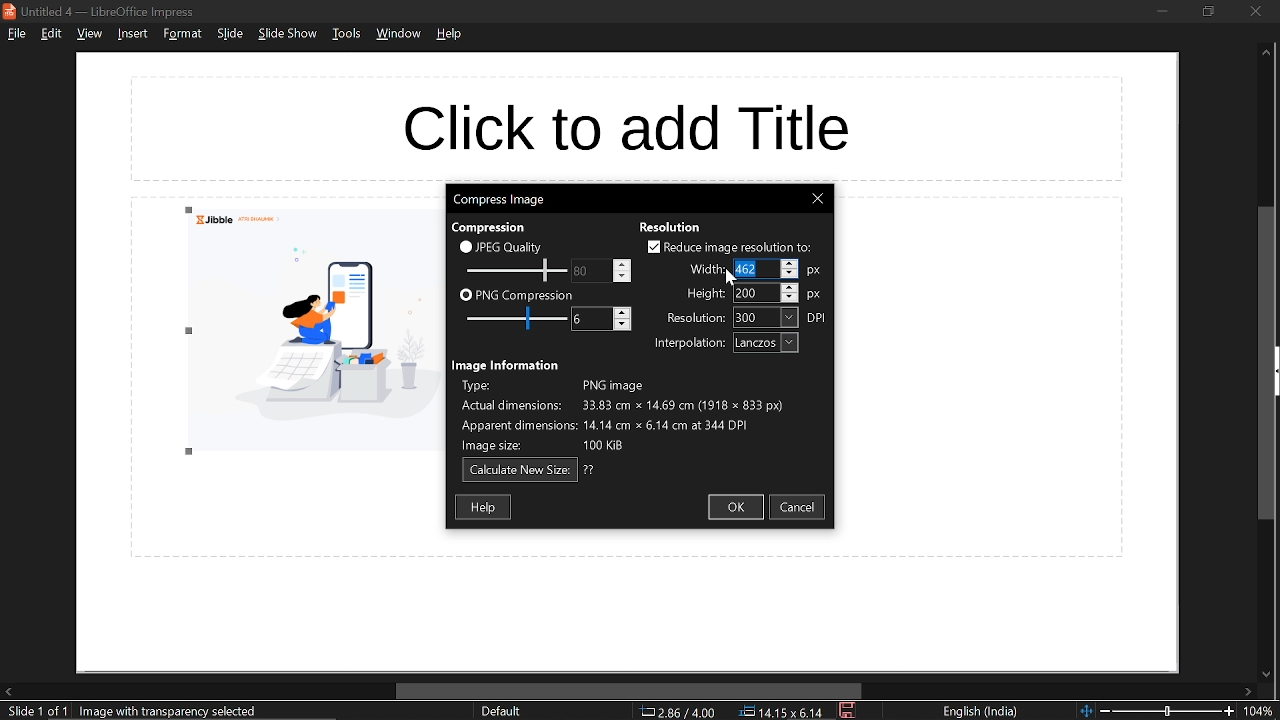  What do you see at coordinates (704, 268) in the screenshot?
I see `width` at bounding box center [704, 268].